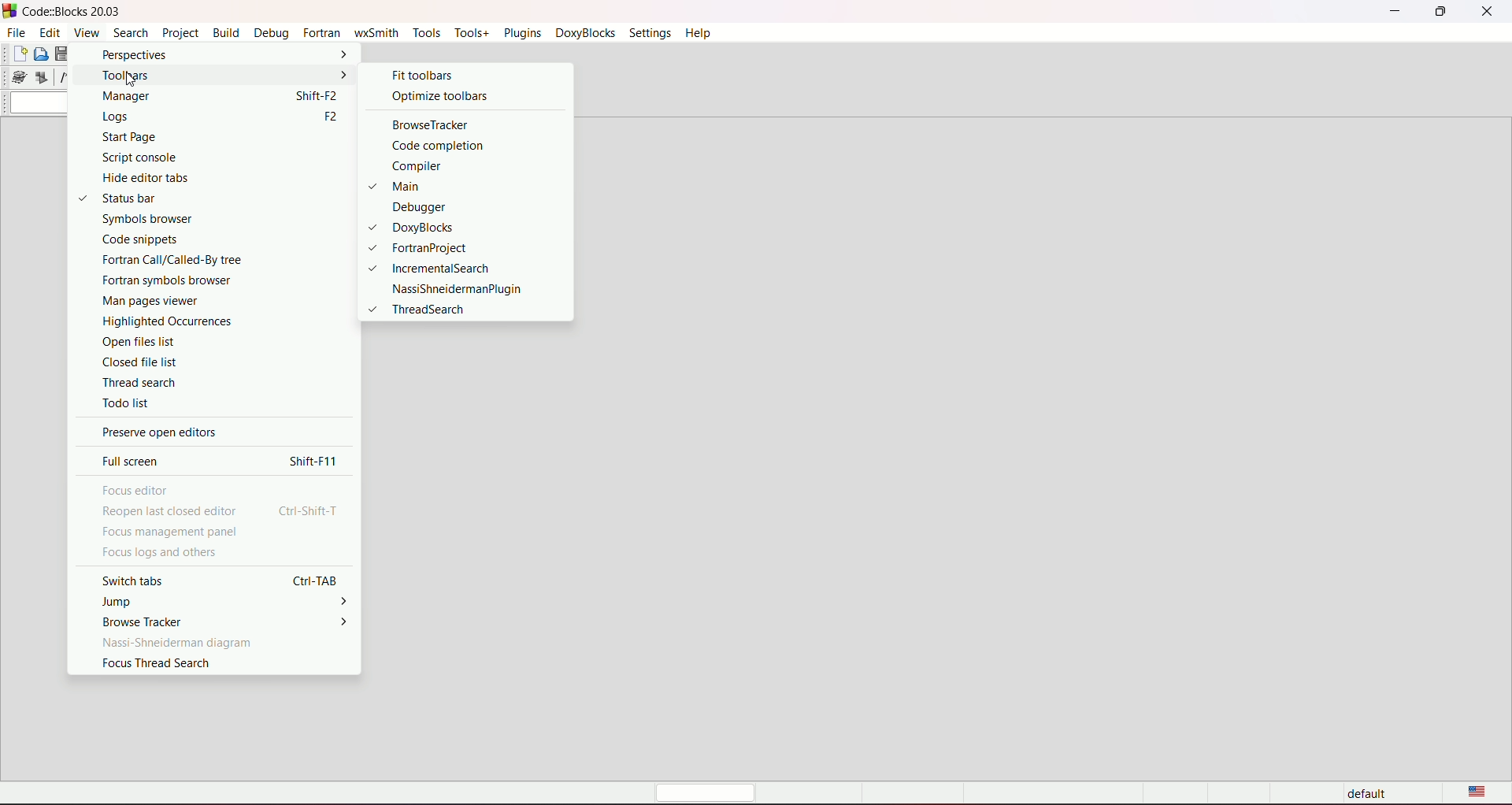  What do you see at coordinates (328, 118) in the screenshot?
I see `F2` at bounding box center [328, 118].